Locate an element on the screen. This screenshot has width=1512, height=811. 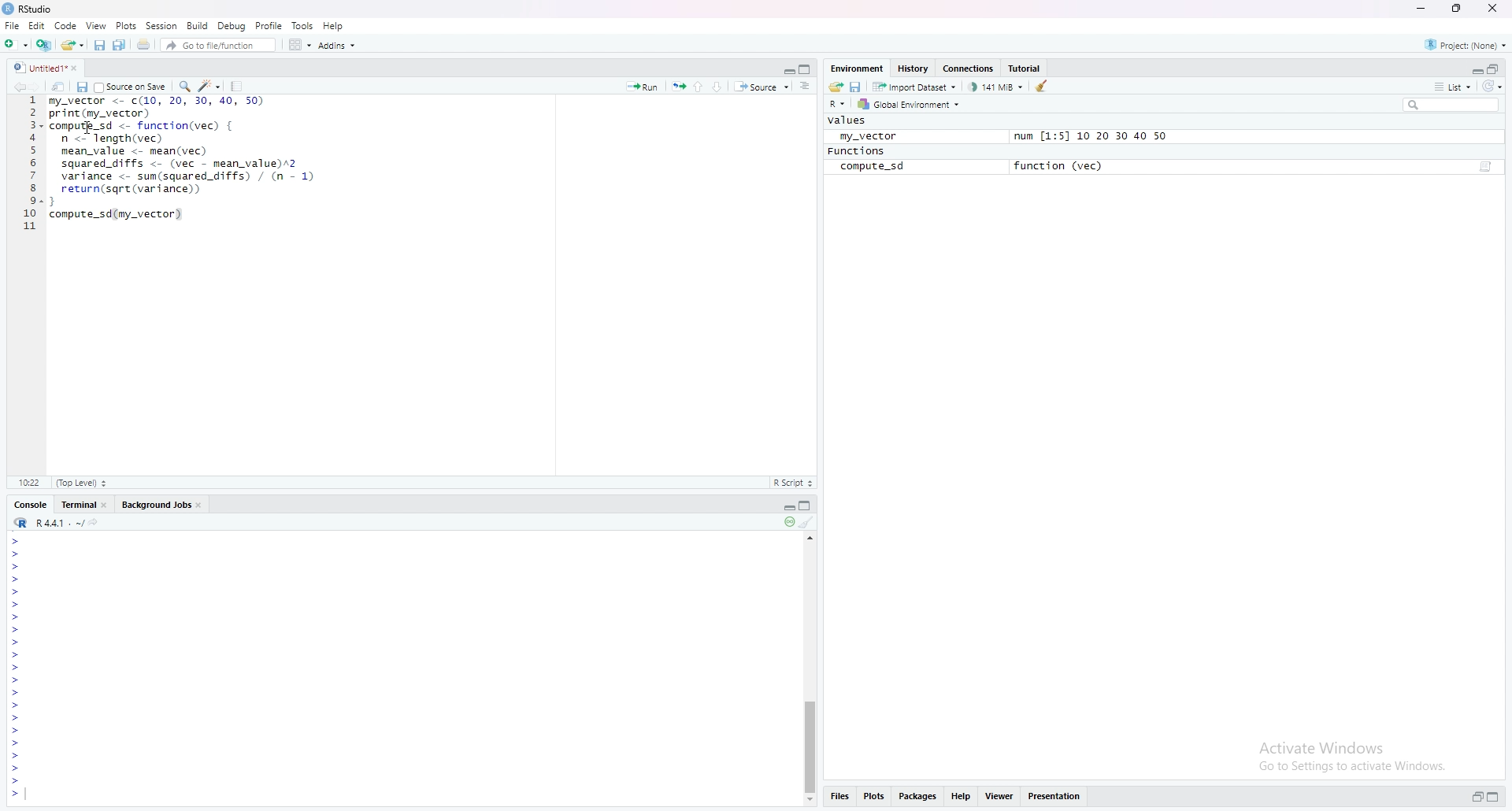
my_vector is located at coordinates (865, 135).